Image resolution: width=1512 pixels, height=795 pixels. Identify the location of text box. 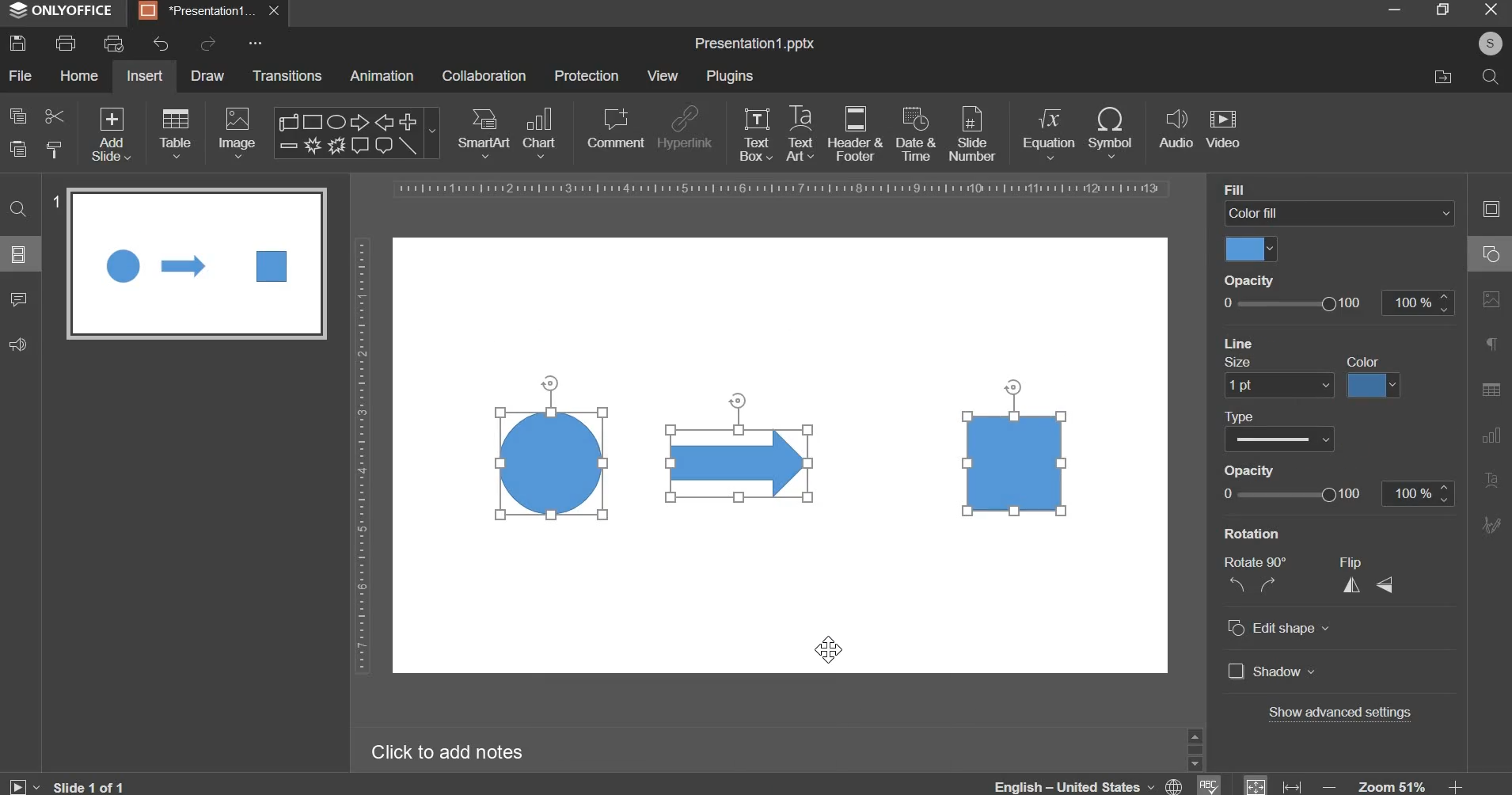
(756, 134).